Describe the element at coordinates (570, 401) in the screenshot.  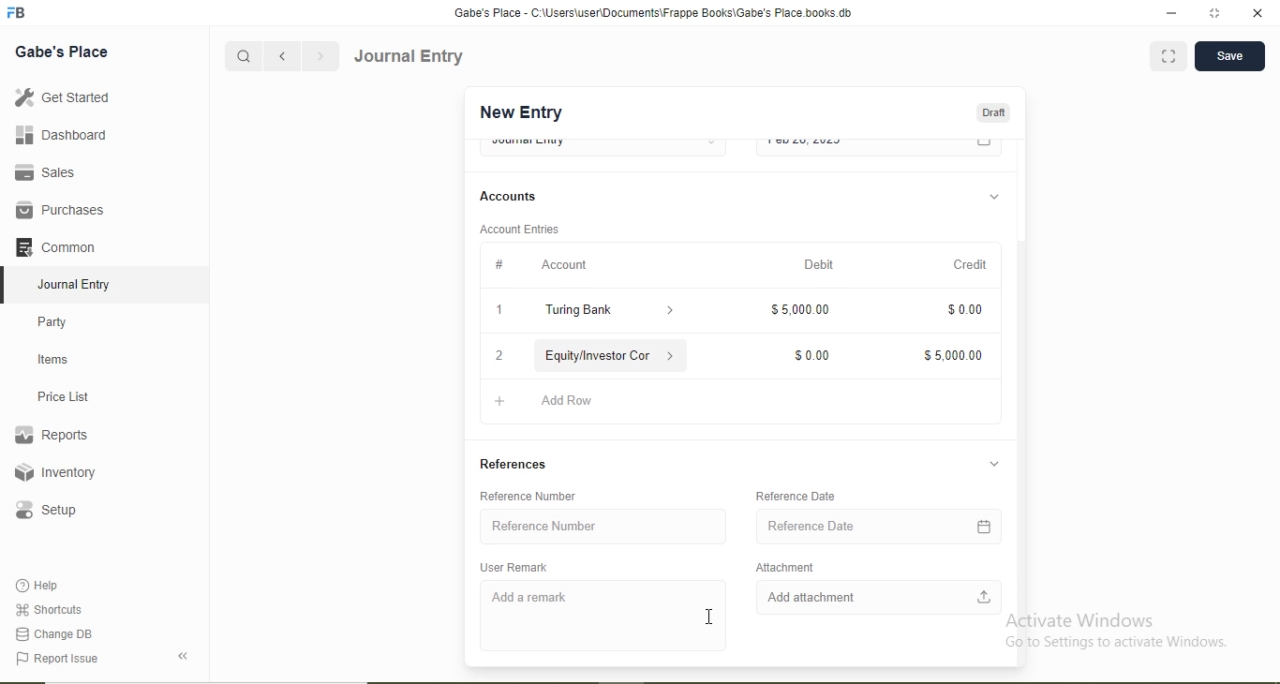
I see `Add Row` at that location.